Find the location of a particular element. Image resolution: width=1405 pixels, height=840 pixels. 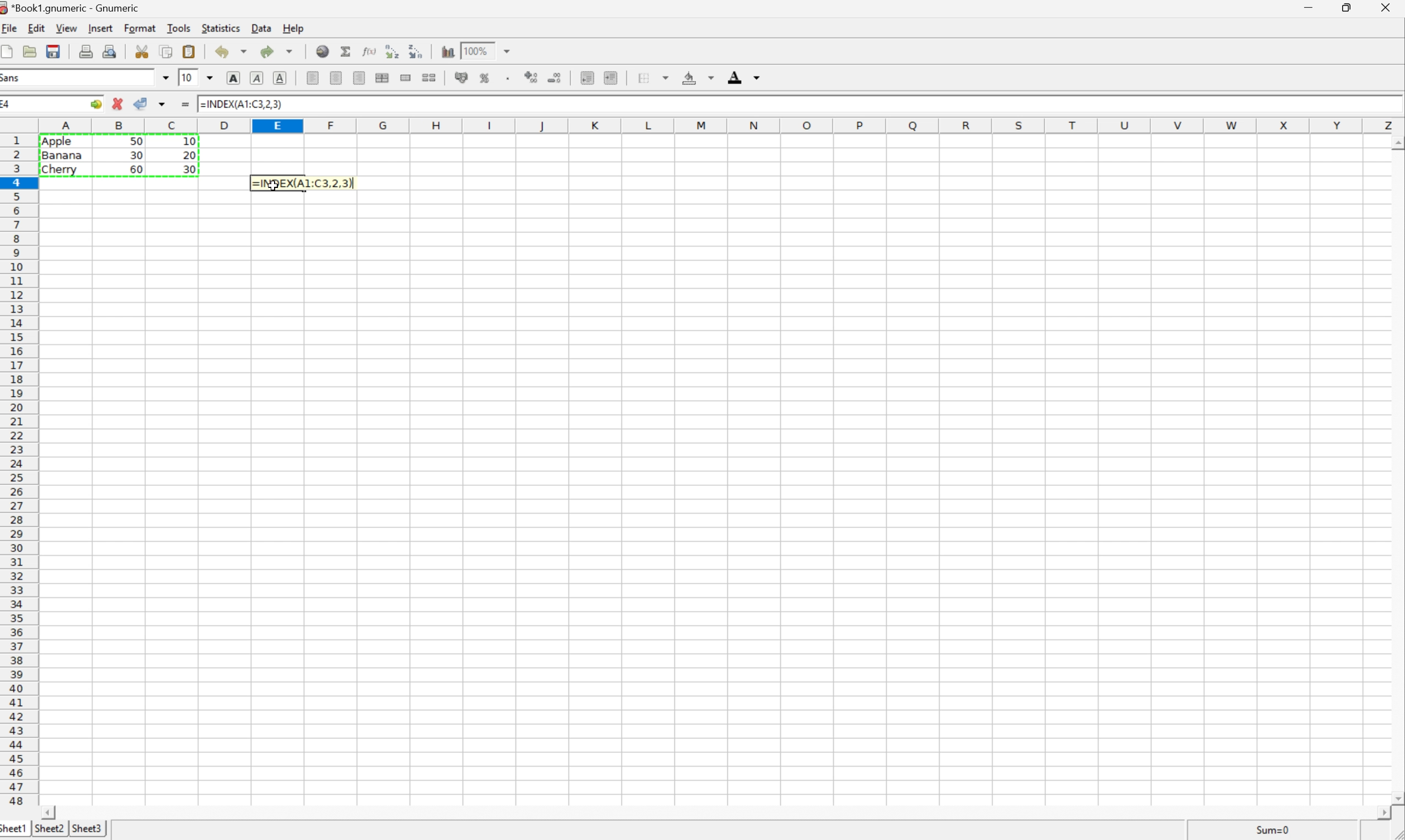

insert is located at coordinates (103, 28).